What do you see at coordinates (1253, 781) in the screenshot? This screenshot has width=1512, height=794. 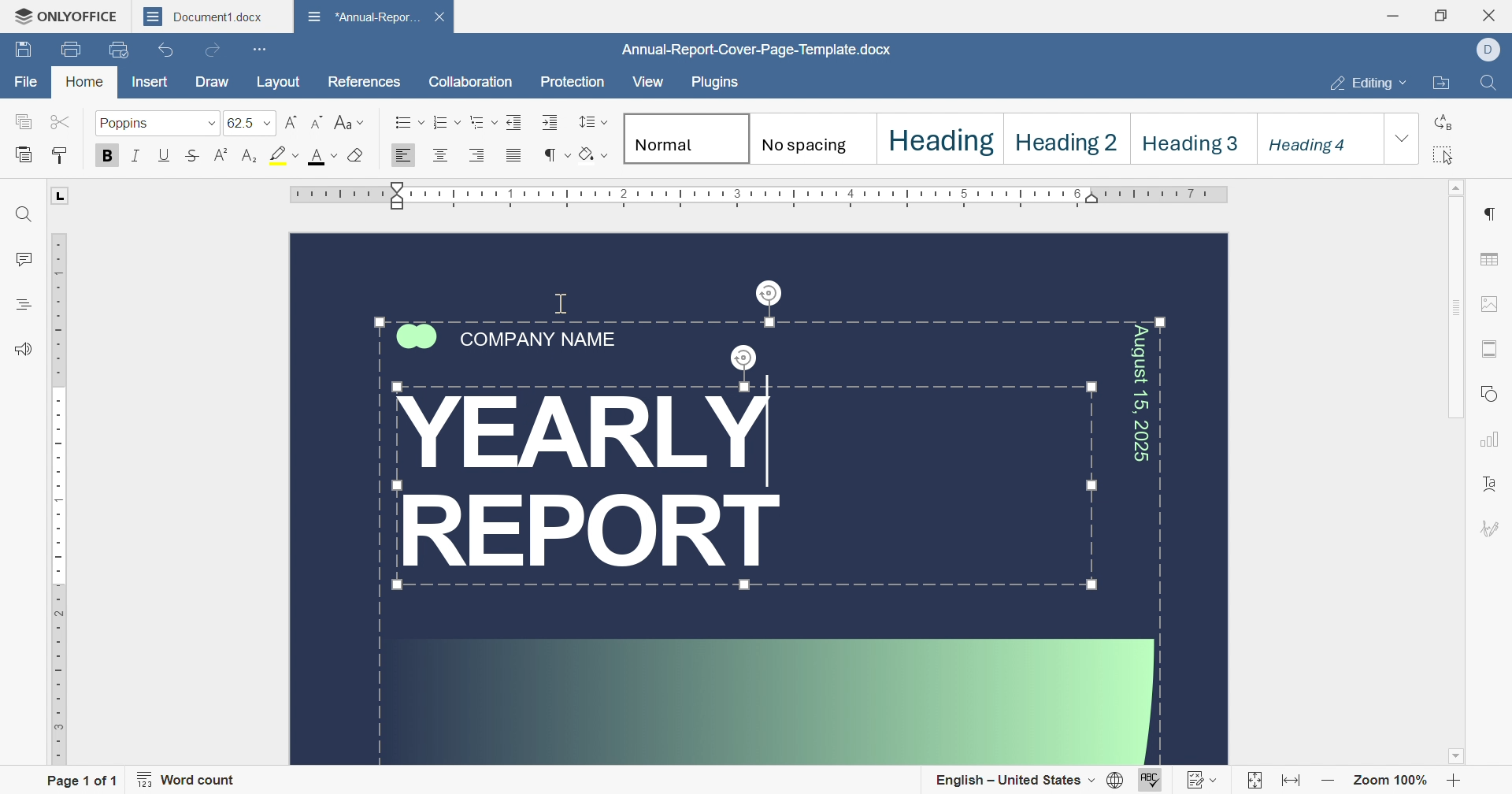 I see `fit to page` at bounding box center [1253, 781].